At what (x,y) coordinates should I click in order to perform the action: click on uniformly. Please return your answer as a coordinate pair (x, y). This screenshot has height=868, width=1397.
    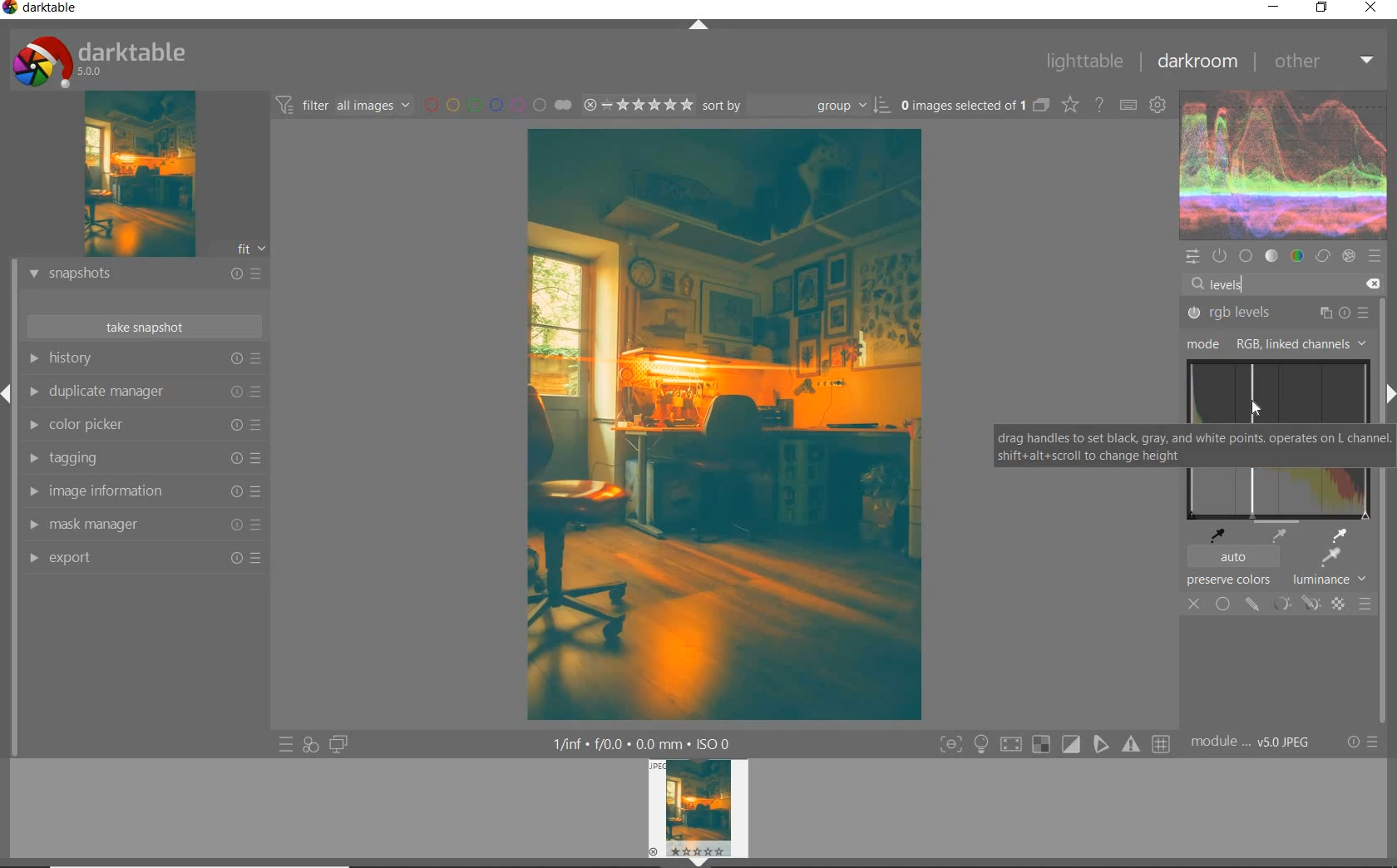
    Looking at the image, I should click on (1222, 604).